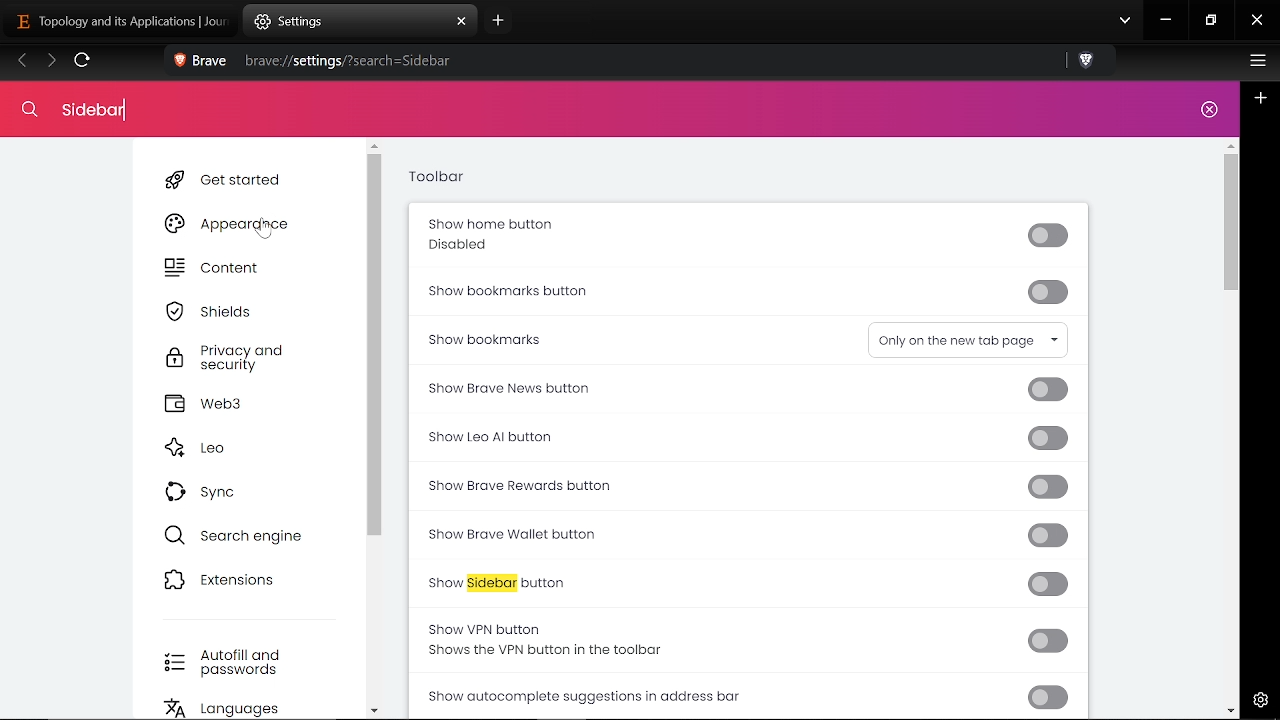 The image size is (1280, 720). What do you see at coordinates (238, 709) in the screenshot?
I see `languages` at bounding box center [238, 709].